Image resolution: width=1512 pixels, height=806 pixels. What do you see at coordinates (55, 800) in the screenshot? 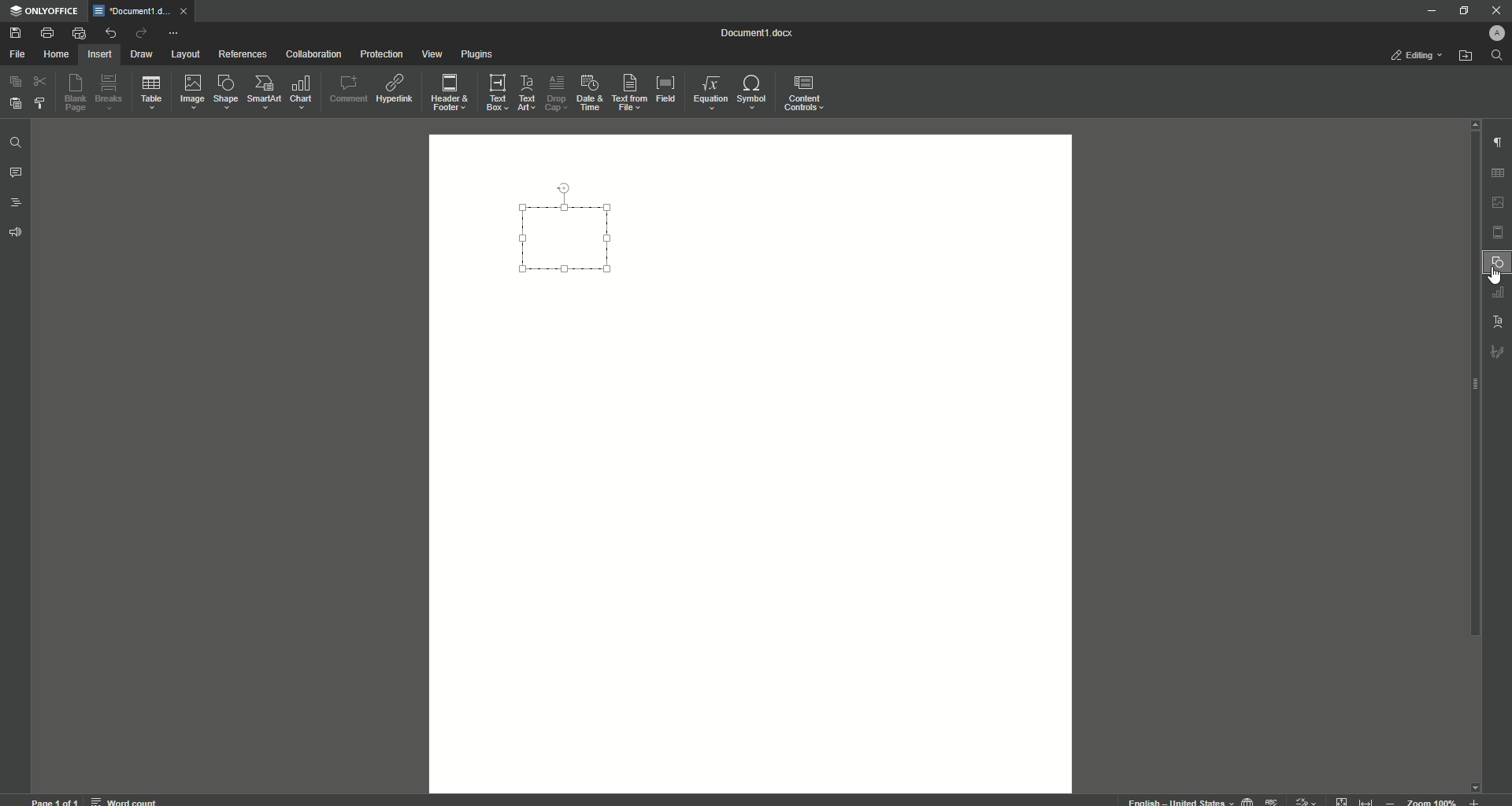
I see `page 1 of 1` at bounding box center [55, 800].